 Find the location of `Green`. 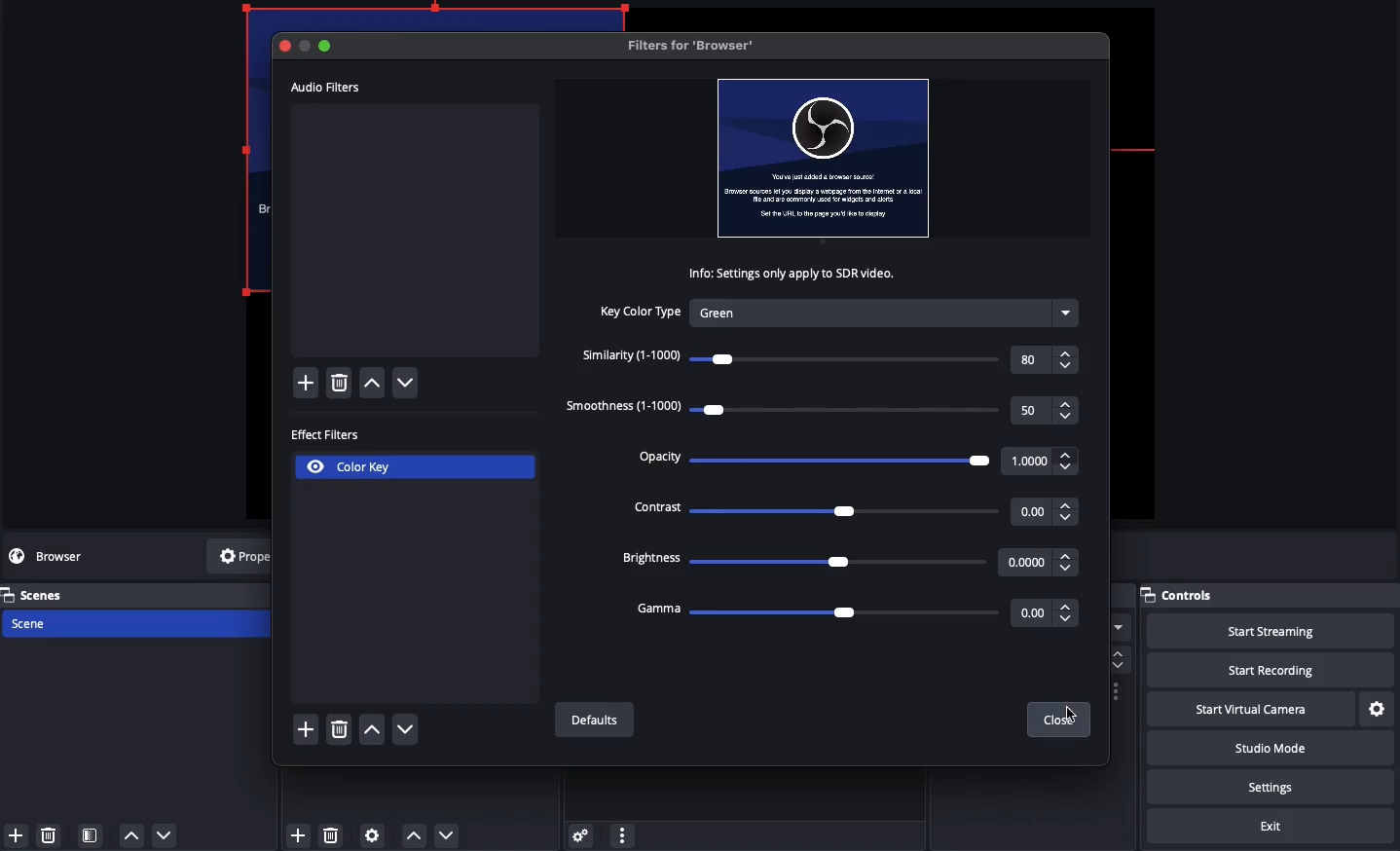

Green is located at coordinates (887, 313).